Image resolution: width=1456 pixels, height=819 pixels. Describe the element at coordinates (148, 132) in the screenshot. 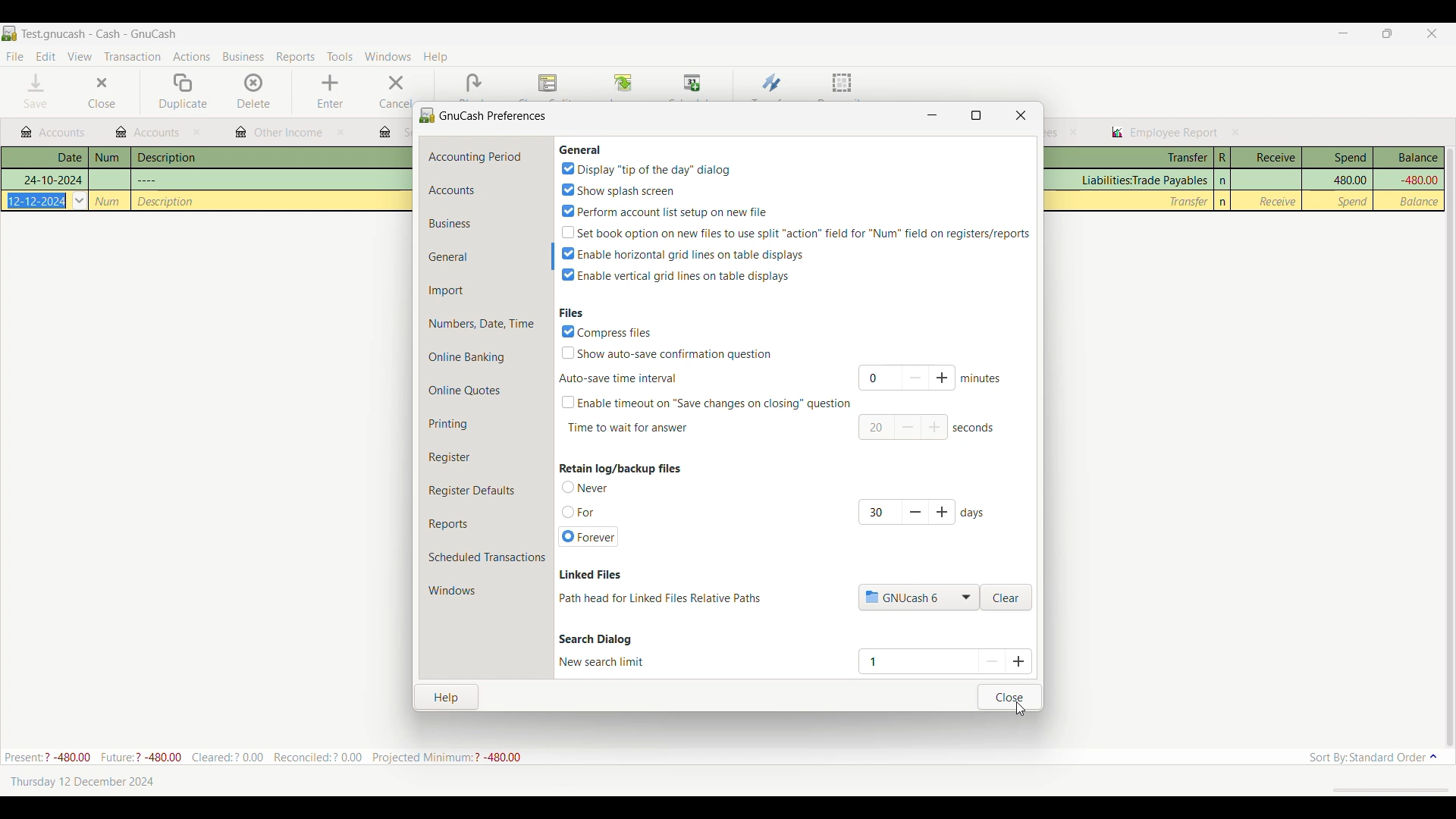

I see `Other budgets and reports` at that location.